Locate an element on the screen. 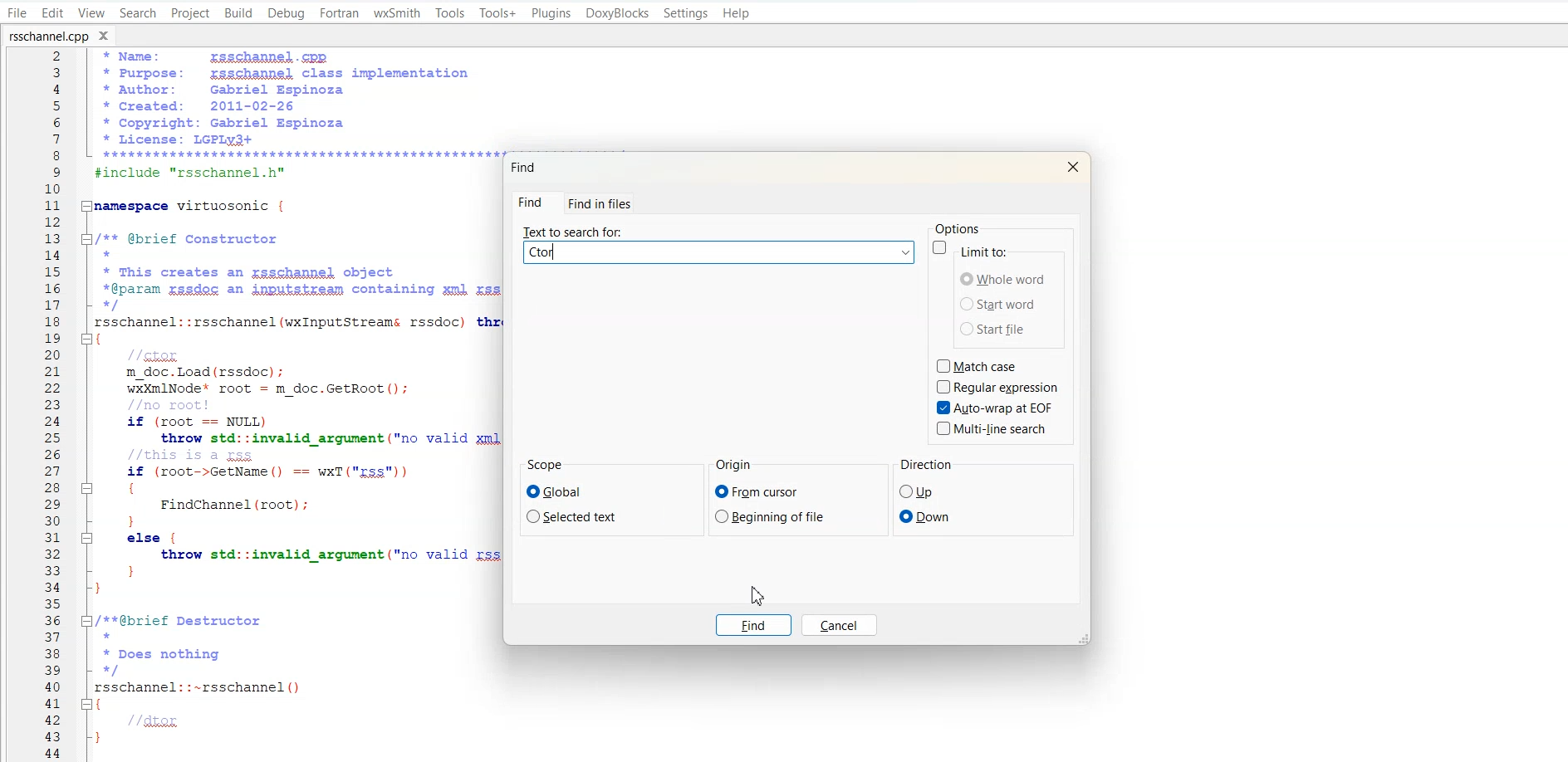  Selected text is located at coordinates (576, 515).